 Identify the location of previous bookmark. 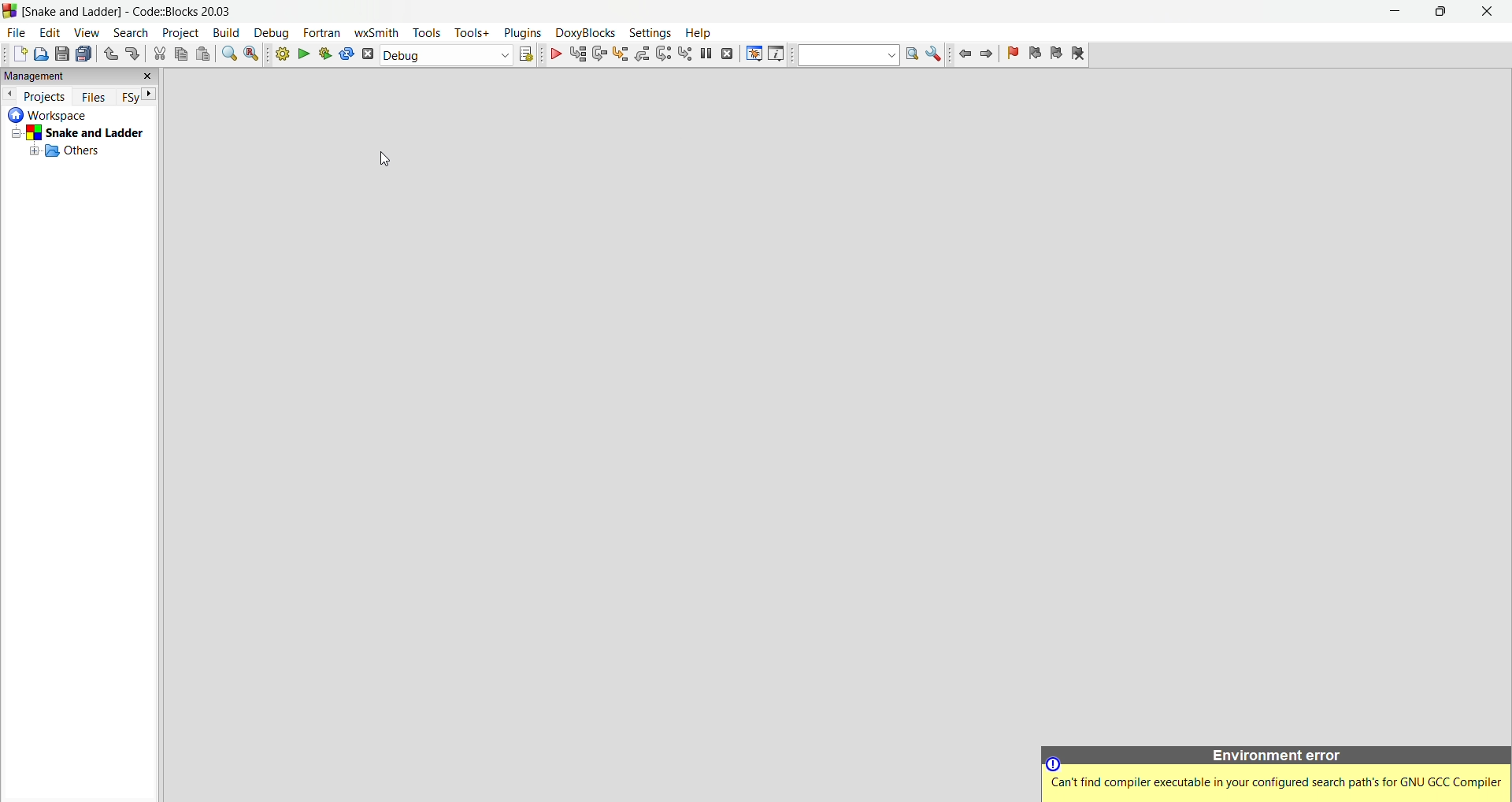
(1035, 54).